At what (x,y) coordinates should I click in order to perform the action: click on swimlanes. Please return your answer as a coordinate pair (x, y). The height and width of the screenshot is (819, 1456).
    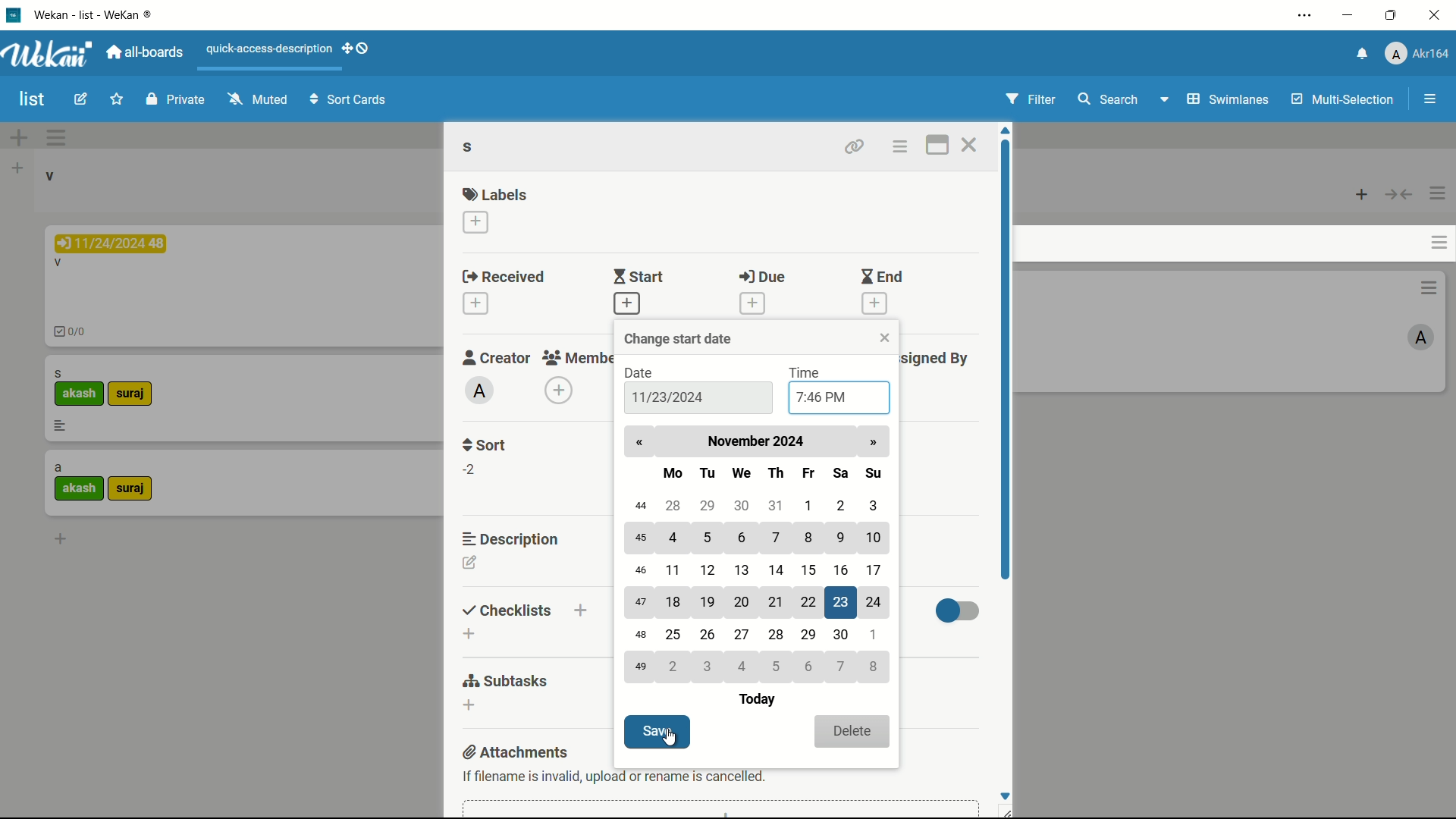
    Looking at the image, I should click on (1229, 99).